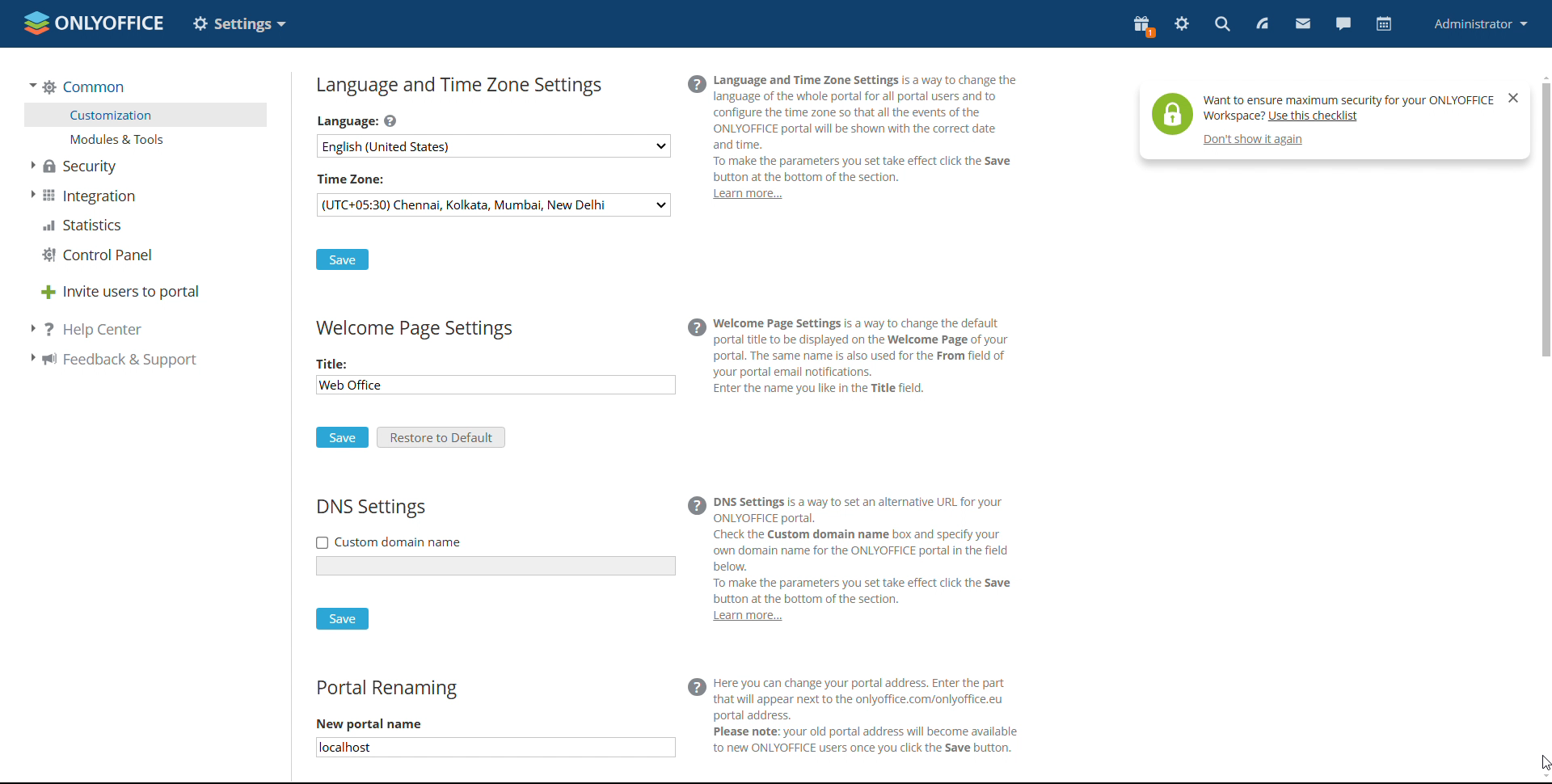 This screenshot has width=1552, height=784. Describe the element at coordinates (1318, 109) in the screenshot. I see `help tip pop-up` at that location.